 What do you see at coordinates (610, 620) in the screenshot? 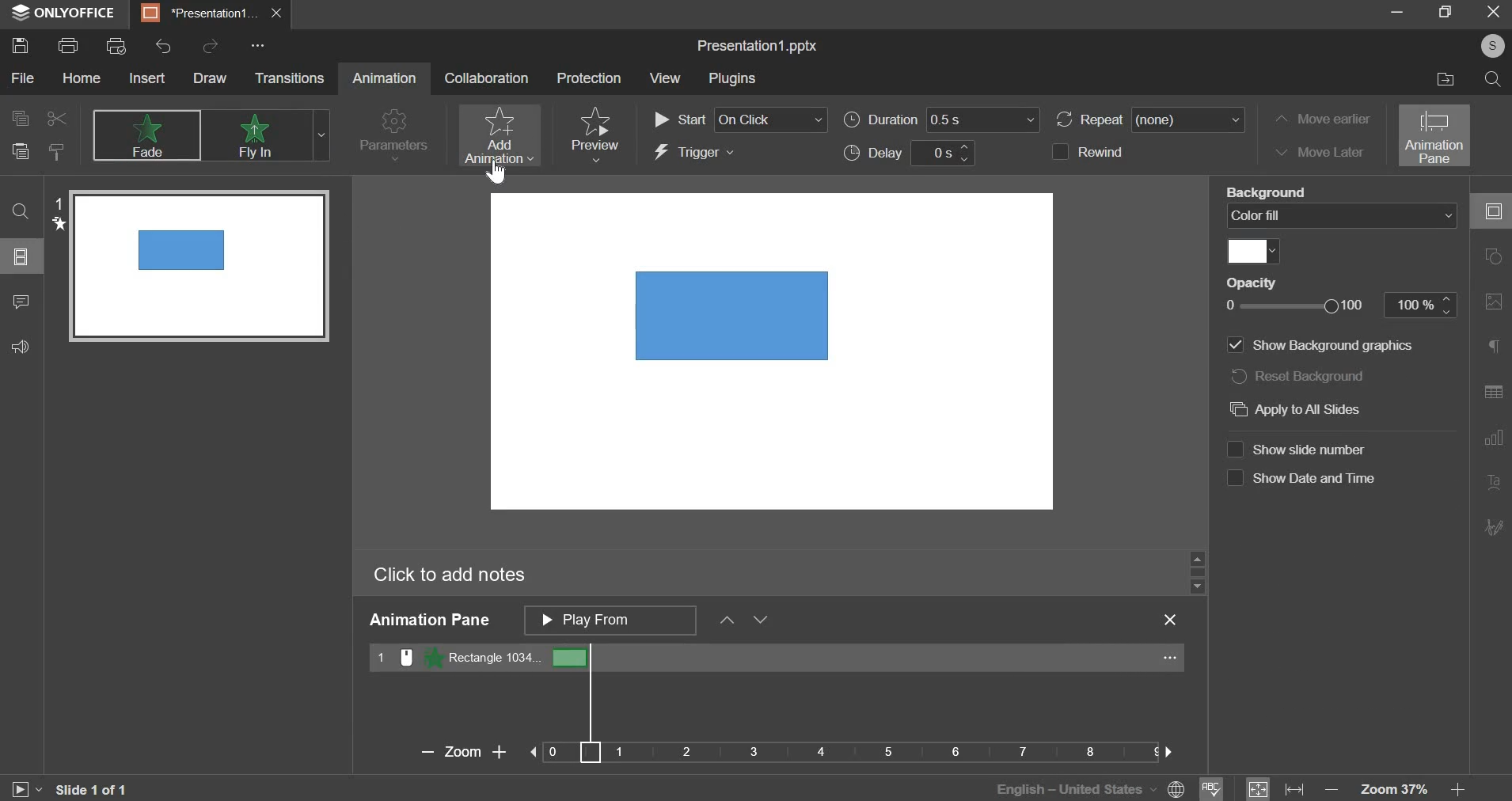
I see `animation pane` at bounding box center [610, 620].